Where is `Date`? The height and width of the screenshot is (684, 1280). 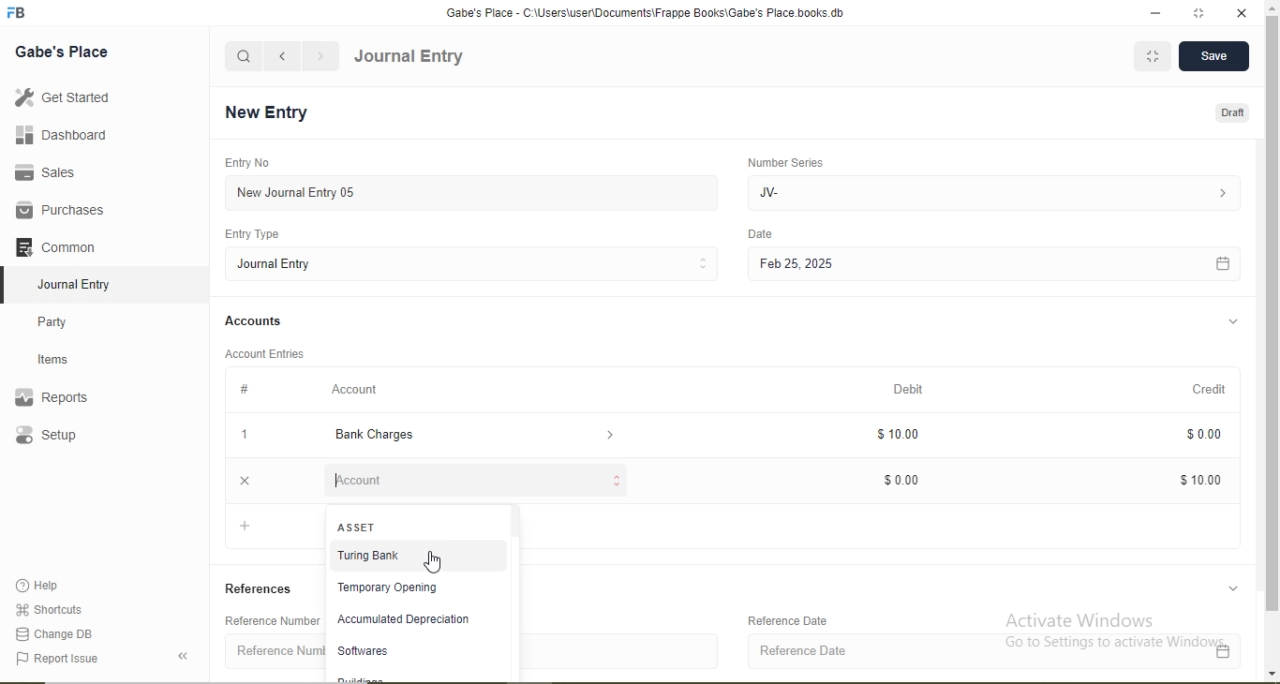 Date is located at coordinates (769, 234).